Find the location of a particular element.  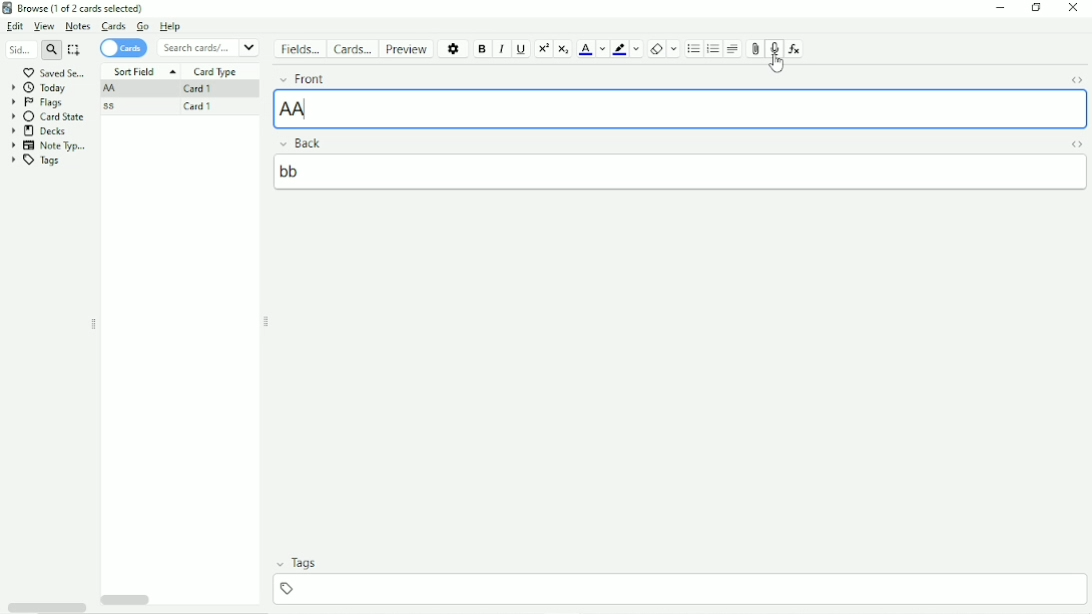

Cards is located at coordinates (115, 26).